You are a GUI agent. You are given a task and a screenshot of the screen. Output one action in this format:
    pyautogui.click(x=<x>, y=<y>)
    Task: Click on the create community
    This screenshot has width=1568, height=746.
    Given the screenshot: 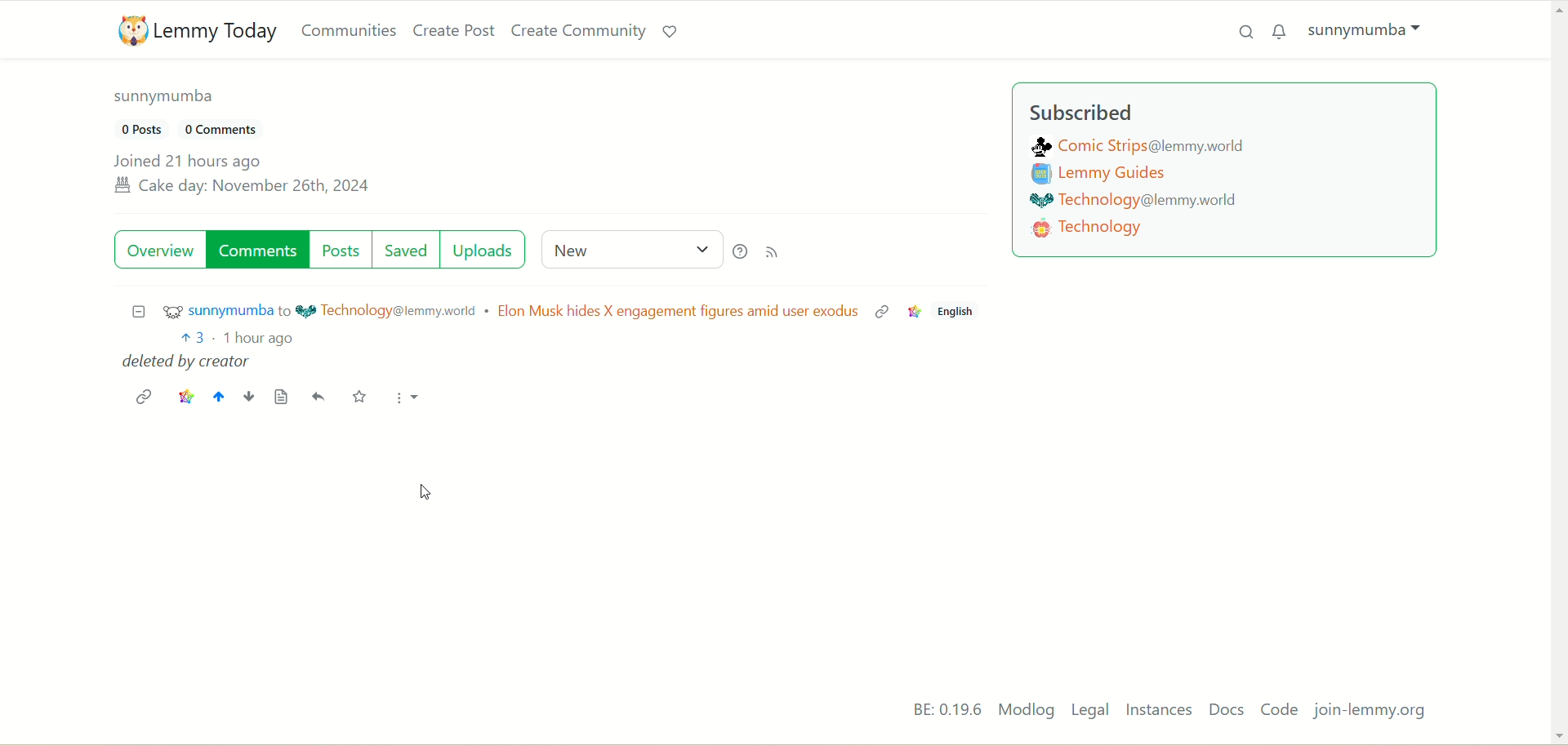 What is the action you would take?
    pyautogui.click(x=577, y=30)
    